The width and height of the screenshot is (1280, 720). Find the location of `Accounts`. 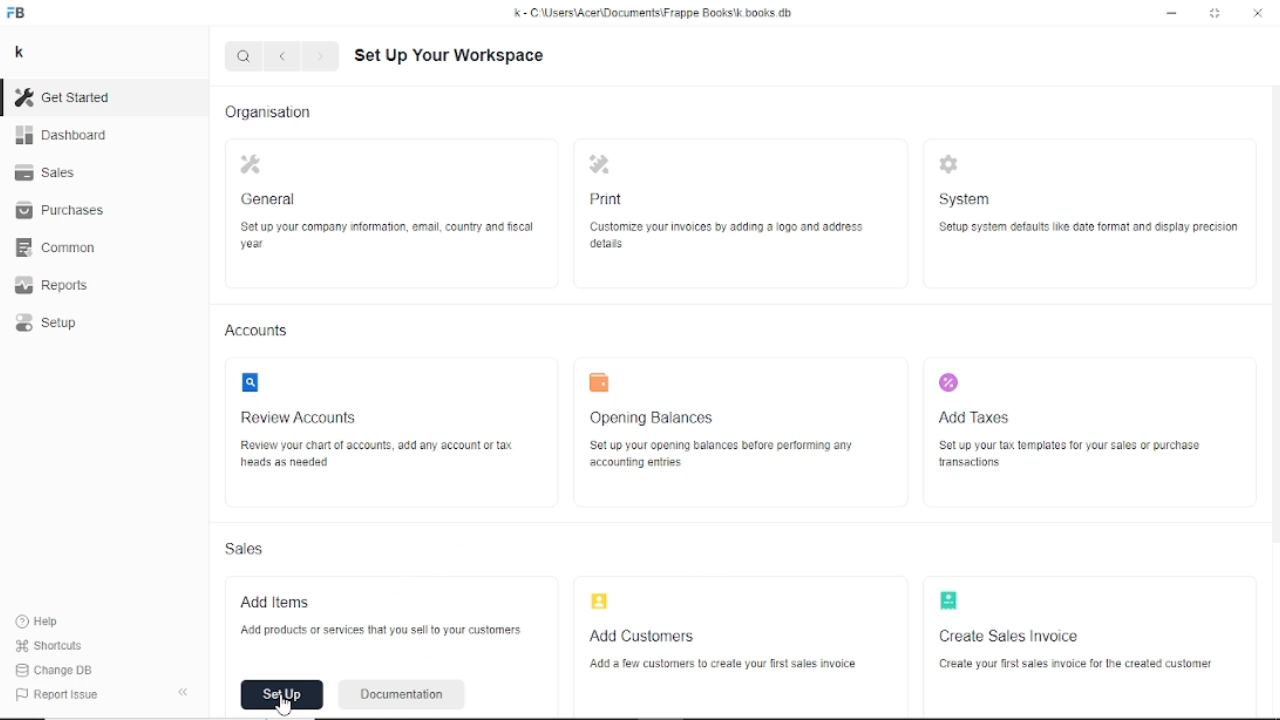

Accounts is located at coordinates (259, 330).